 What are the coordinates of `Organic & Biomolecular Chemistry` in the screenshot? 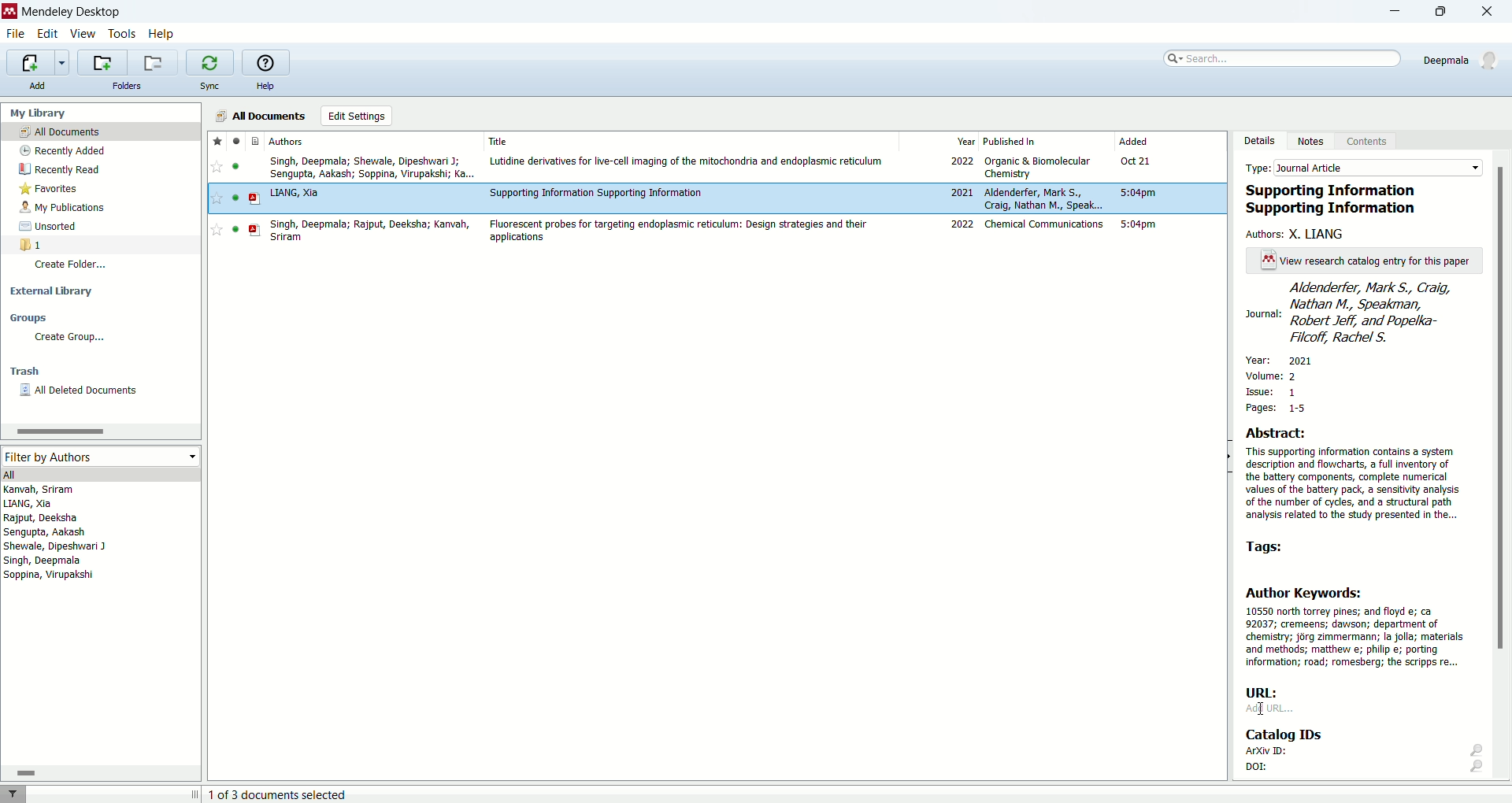 It's located at (1038, 168).